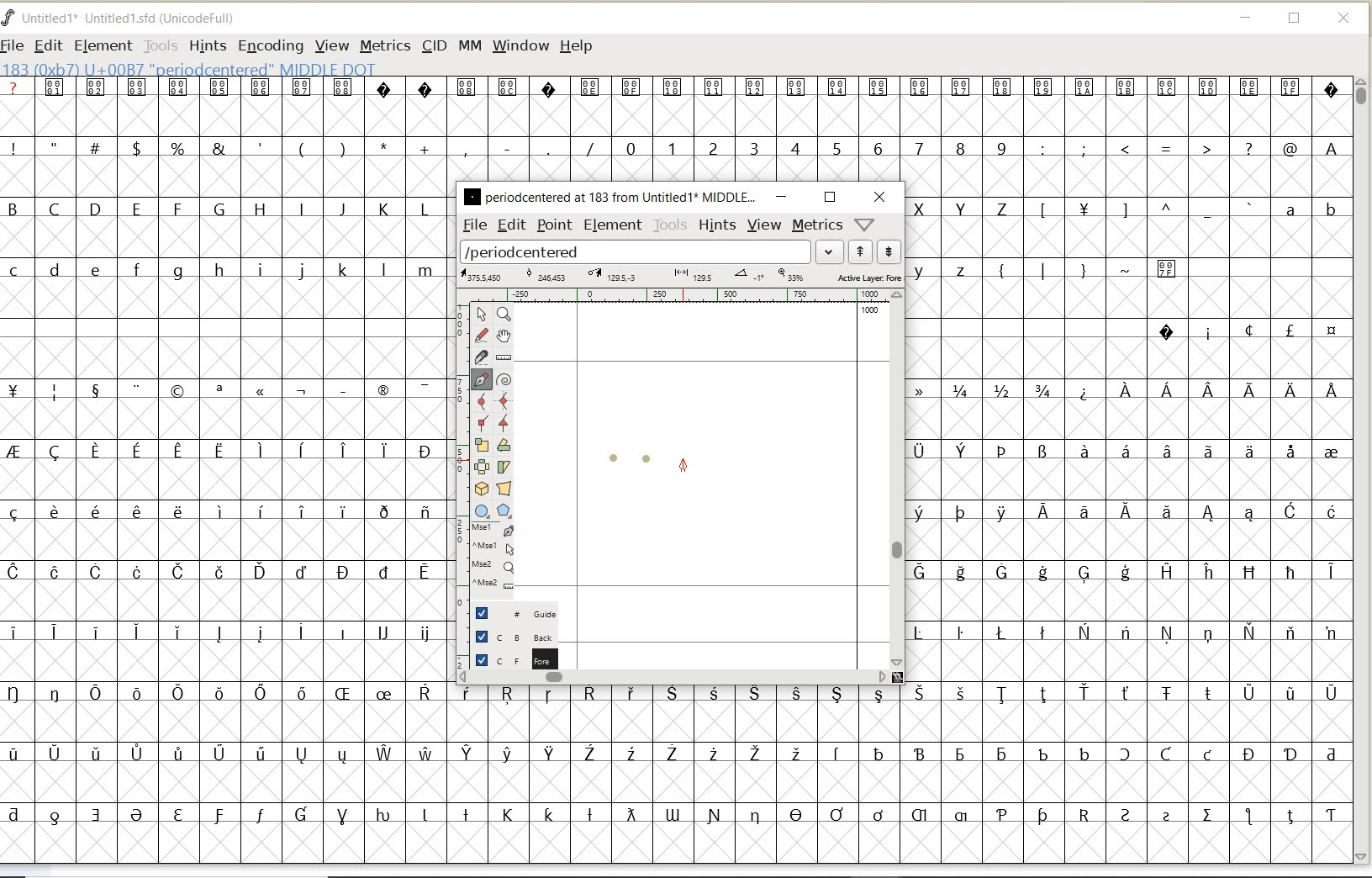 The width and height of the screenshot is (1372, 878). What do you see at coordinates (504, 489) in the screenshot?
I see `perform a perspective transformation on the selection` at bounding box center [504, 489].